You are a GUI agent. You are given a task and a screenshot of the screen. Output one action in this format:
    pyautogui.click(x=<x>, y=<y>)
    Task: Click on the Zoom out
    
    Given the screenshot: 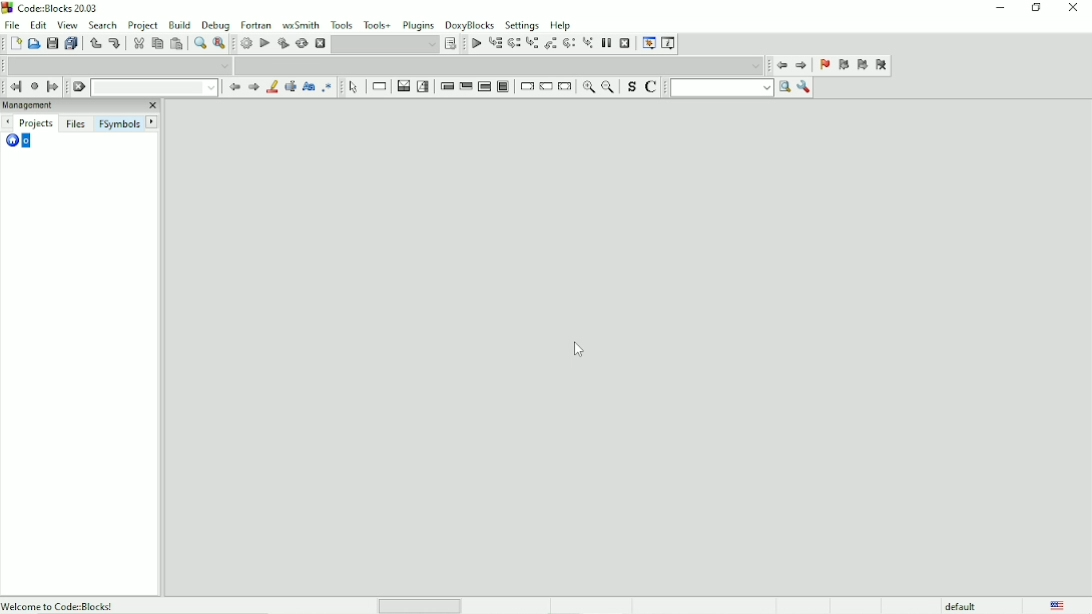 What is the action you would take?
    pyautogui.click(x=609, y=88)
    